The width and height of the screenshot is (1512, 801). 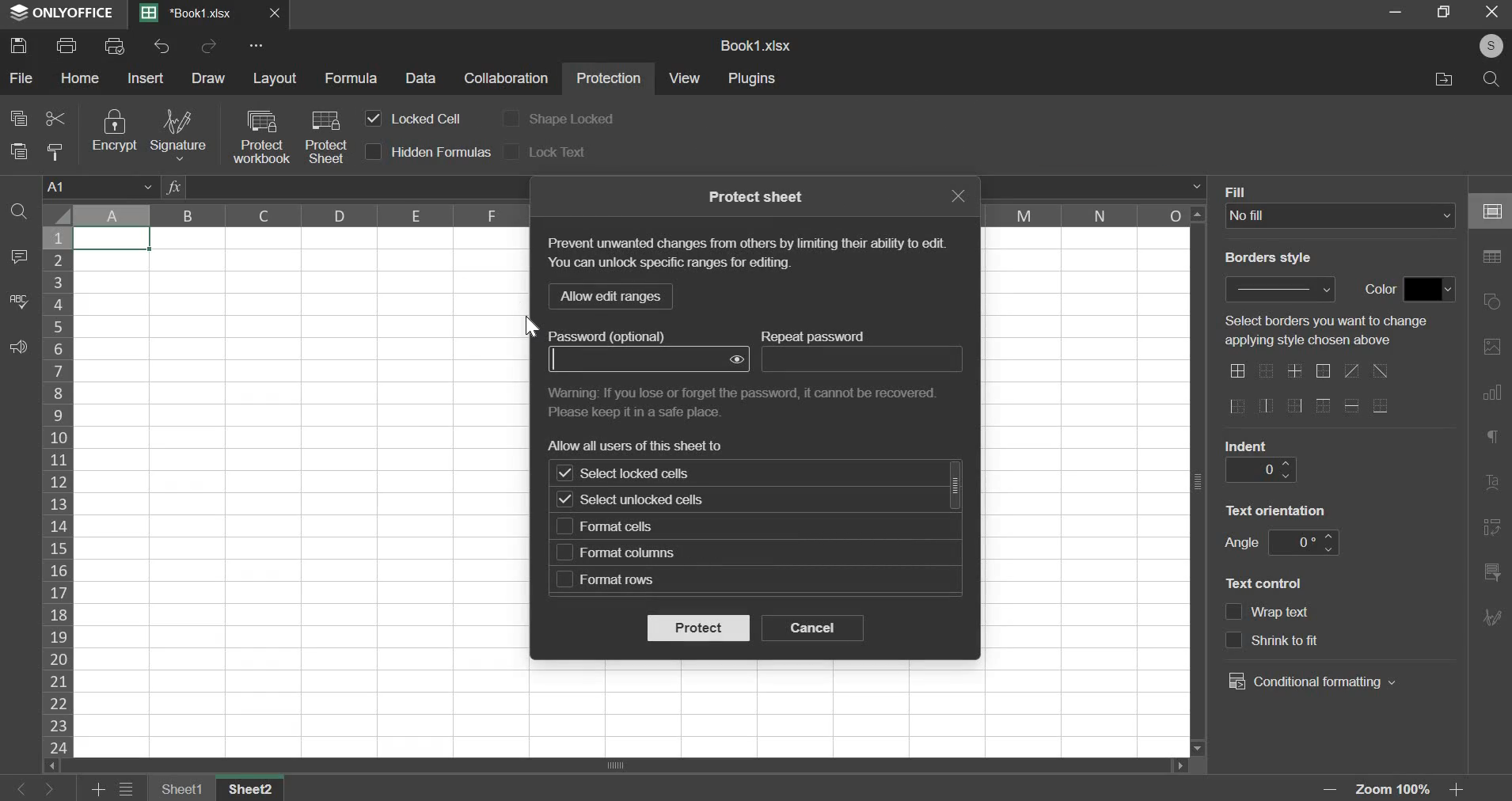 I want to click on right side bar, so click(x=1495, y=436).